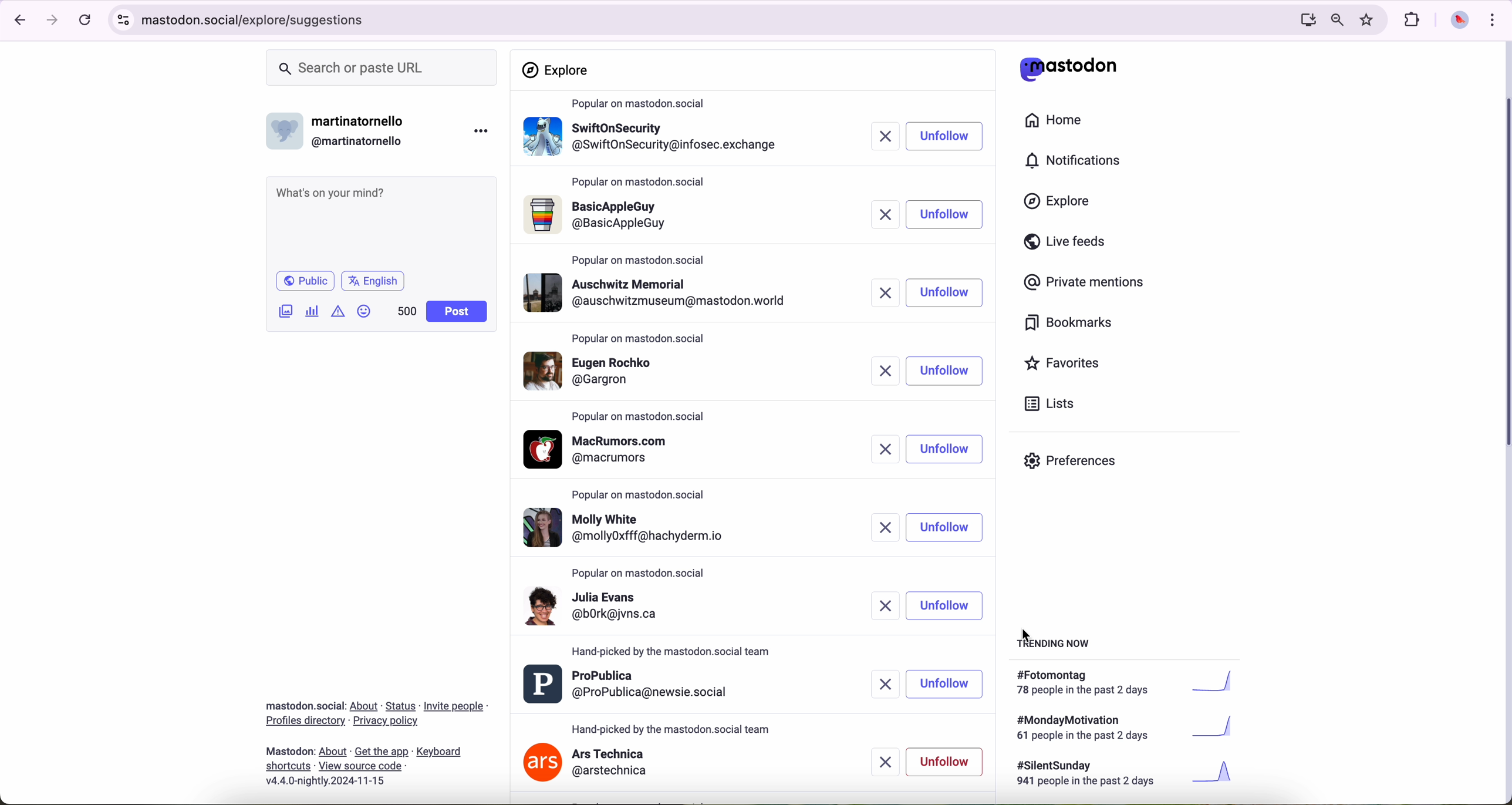  What do you see at coordinates (1456, 21) in the screenshot?
I see `profile picture` at bounding box center [1456, 21].